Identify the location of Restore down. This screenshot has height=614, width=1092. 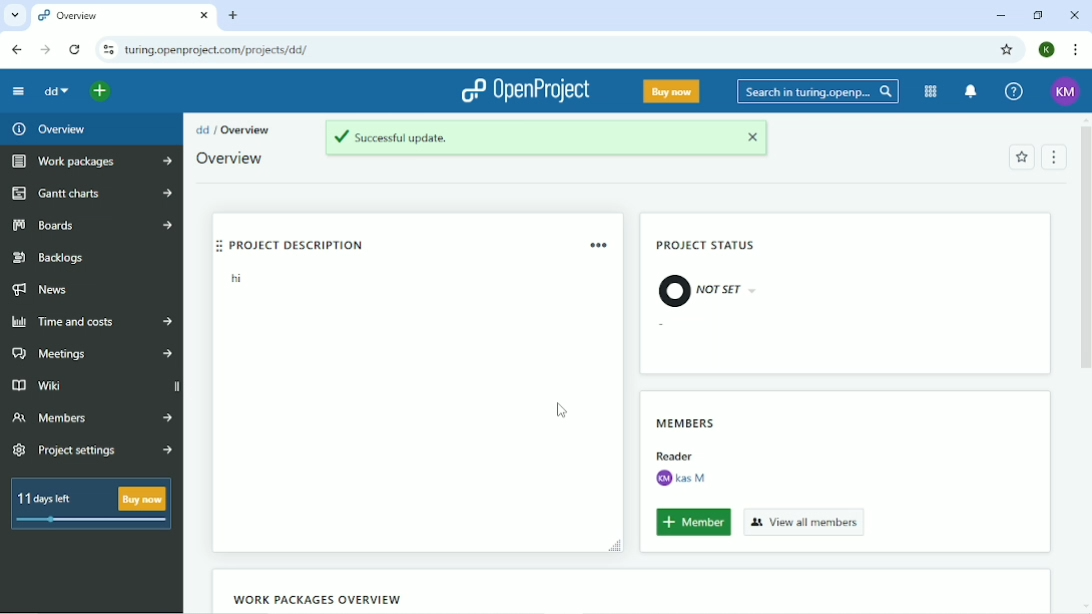
(1037, 15).